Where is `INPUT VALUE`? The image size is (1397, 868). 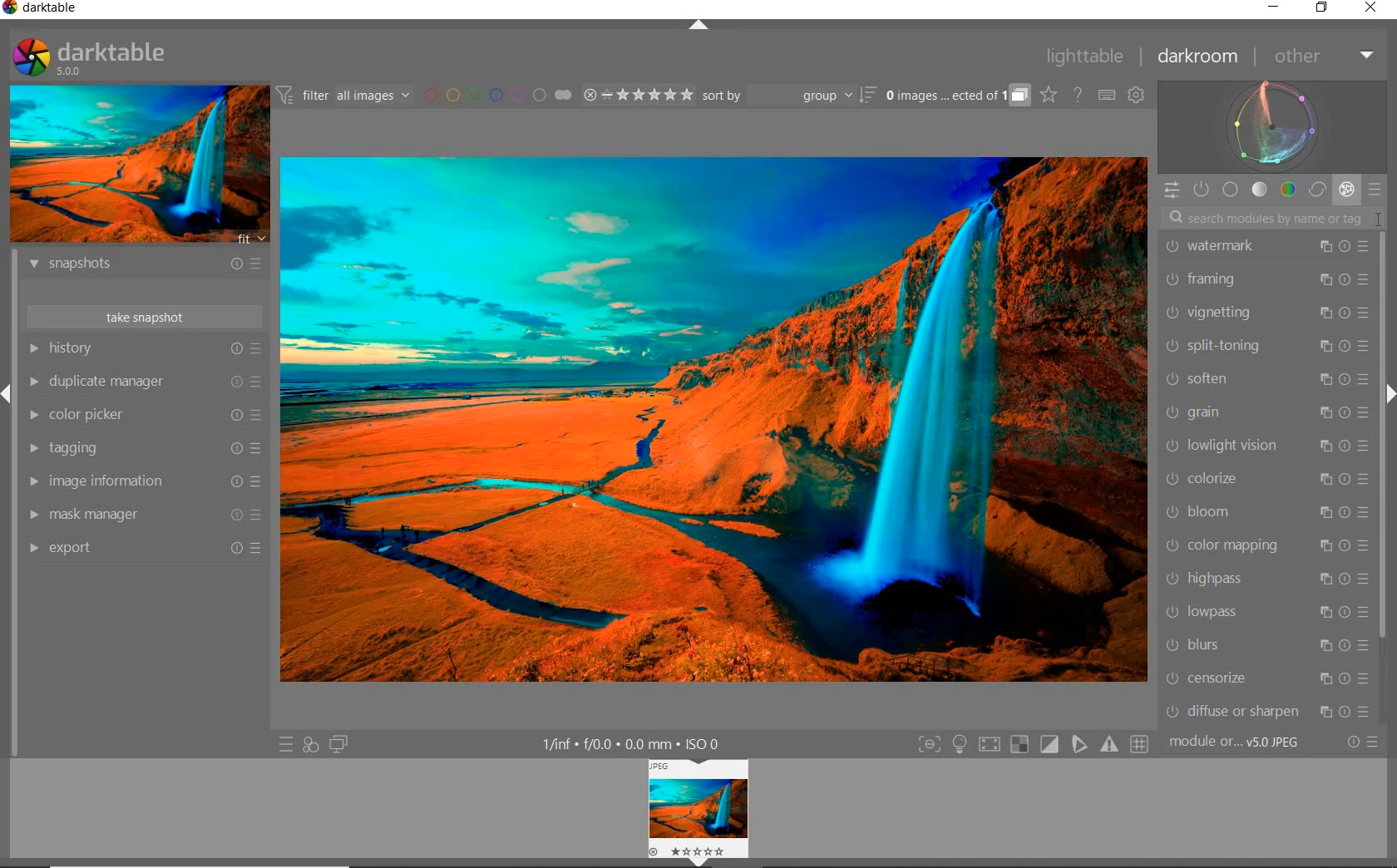
INPUT VALUE is located at coordinates (1282, 216).